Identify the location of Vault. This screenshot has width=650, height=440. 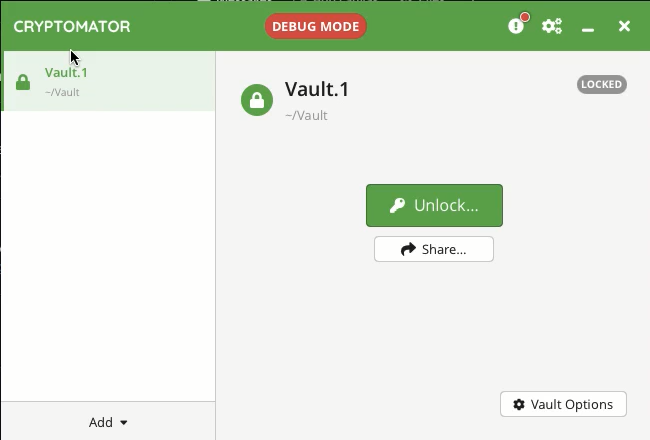
(101, 81).